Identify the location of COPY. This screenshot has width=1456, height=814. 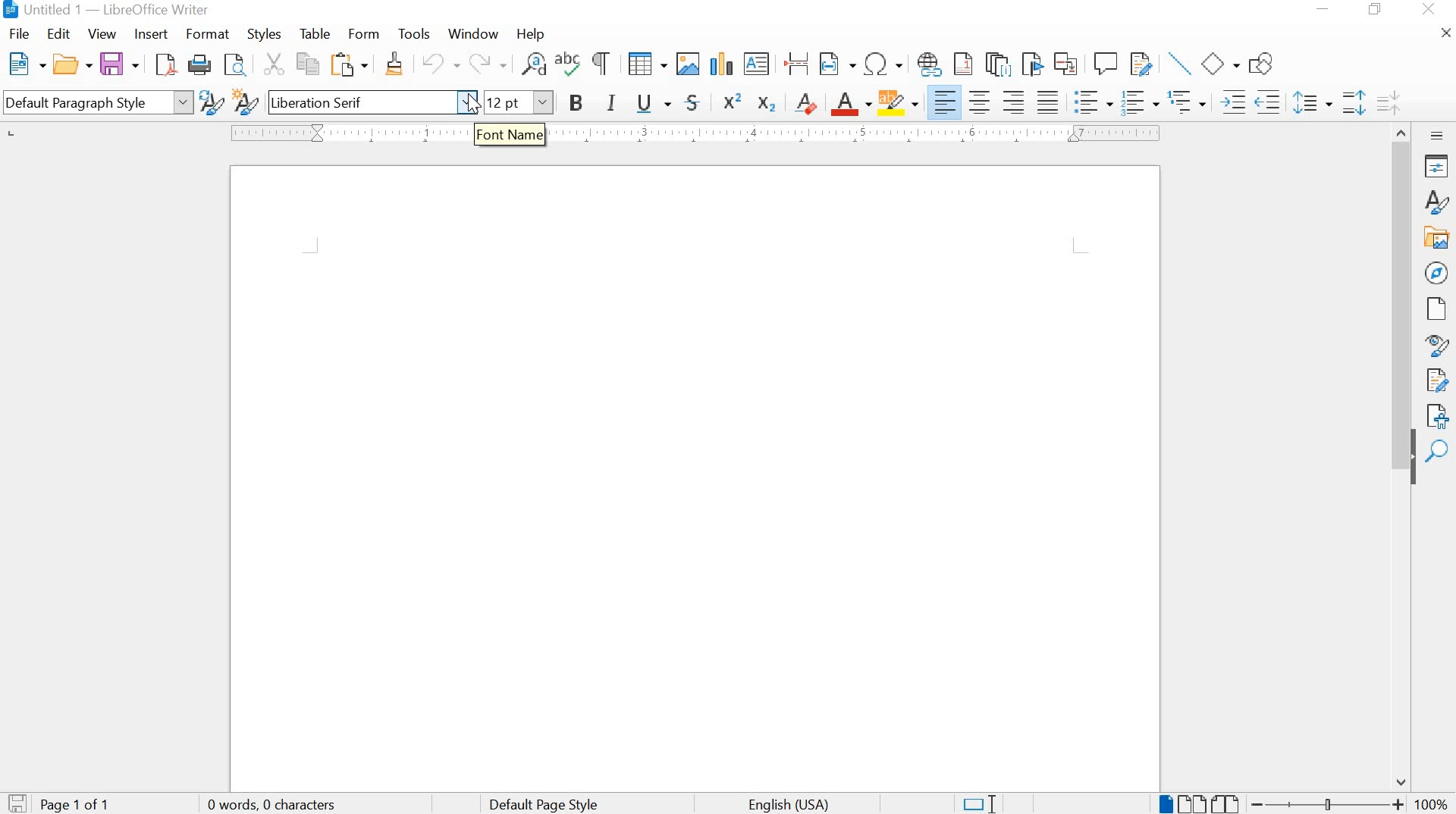
(309, 64).